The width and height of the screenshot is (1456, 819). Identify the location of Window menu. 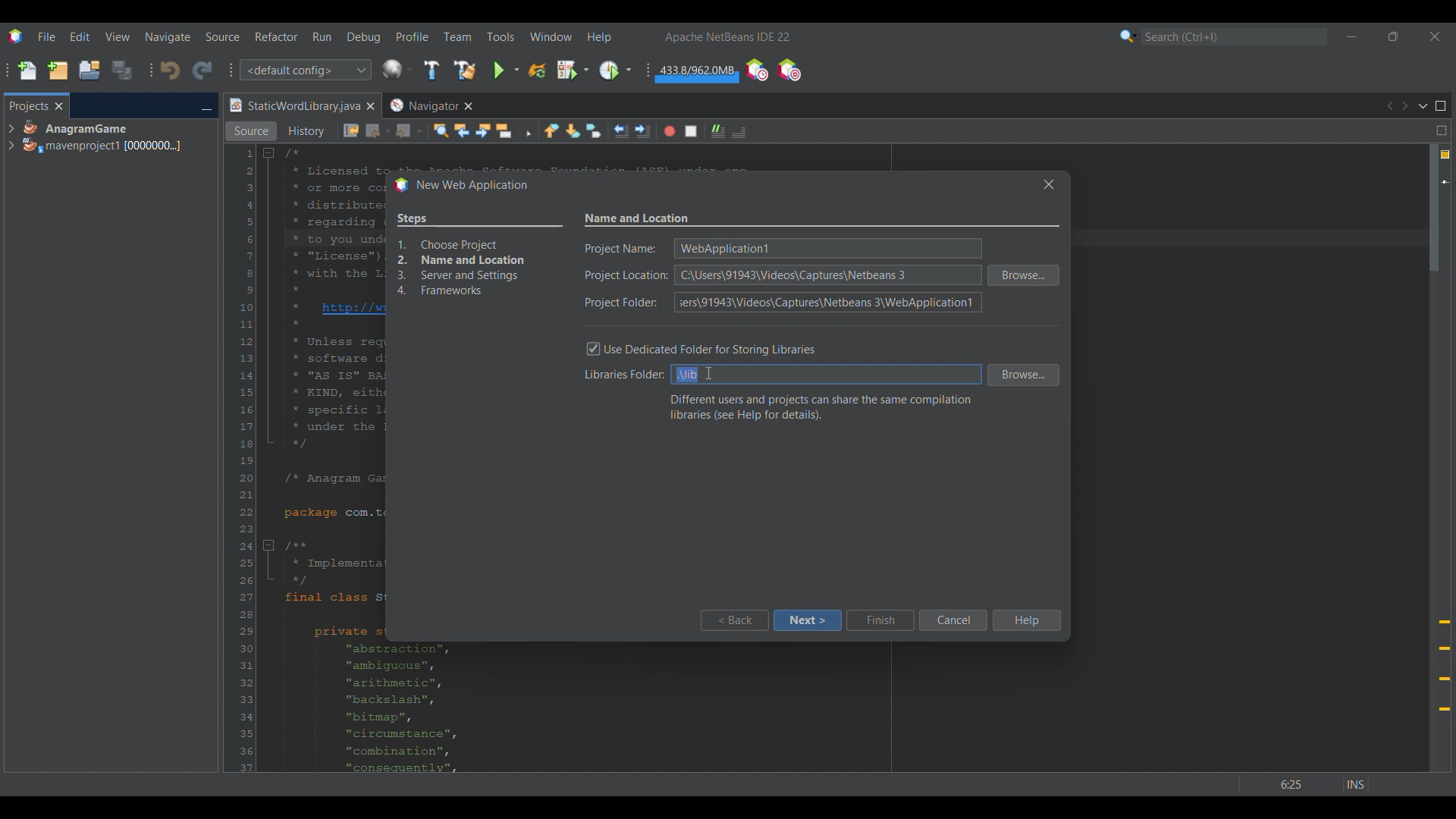
(551, 36).